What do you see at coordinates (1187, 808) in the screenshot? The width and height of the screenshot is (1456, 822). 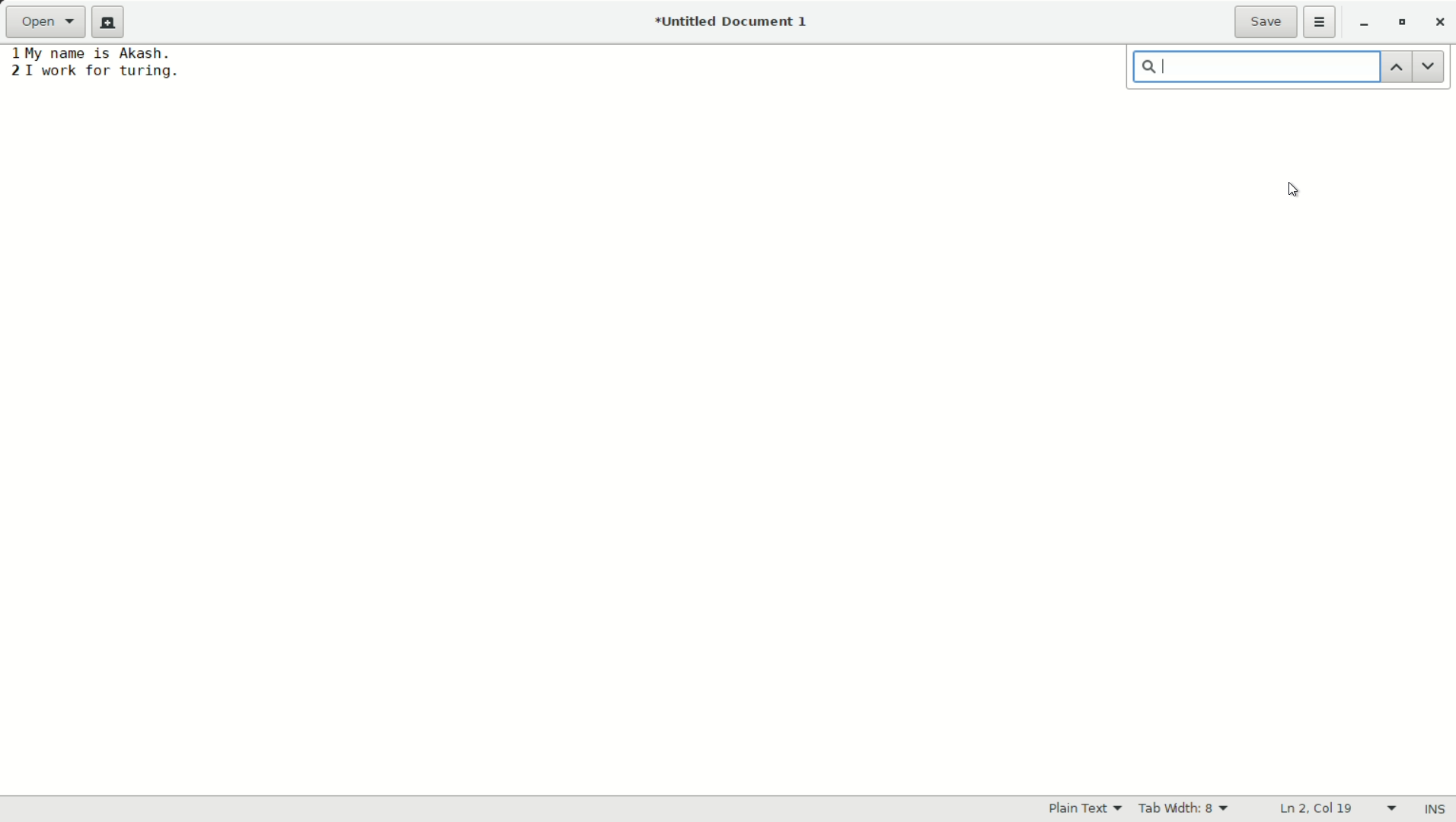 I see `tab width` at bounding box center [1187, 808].